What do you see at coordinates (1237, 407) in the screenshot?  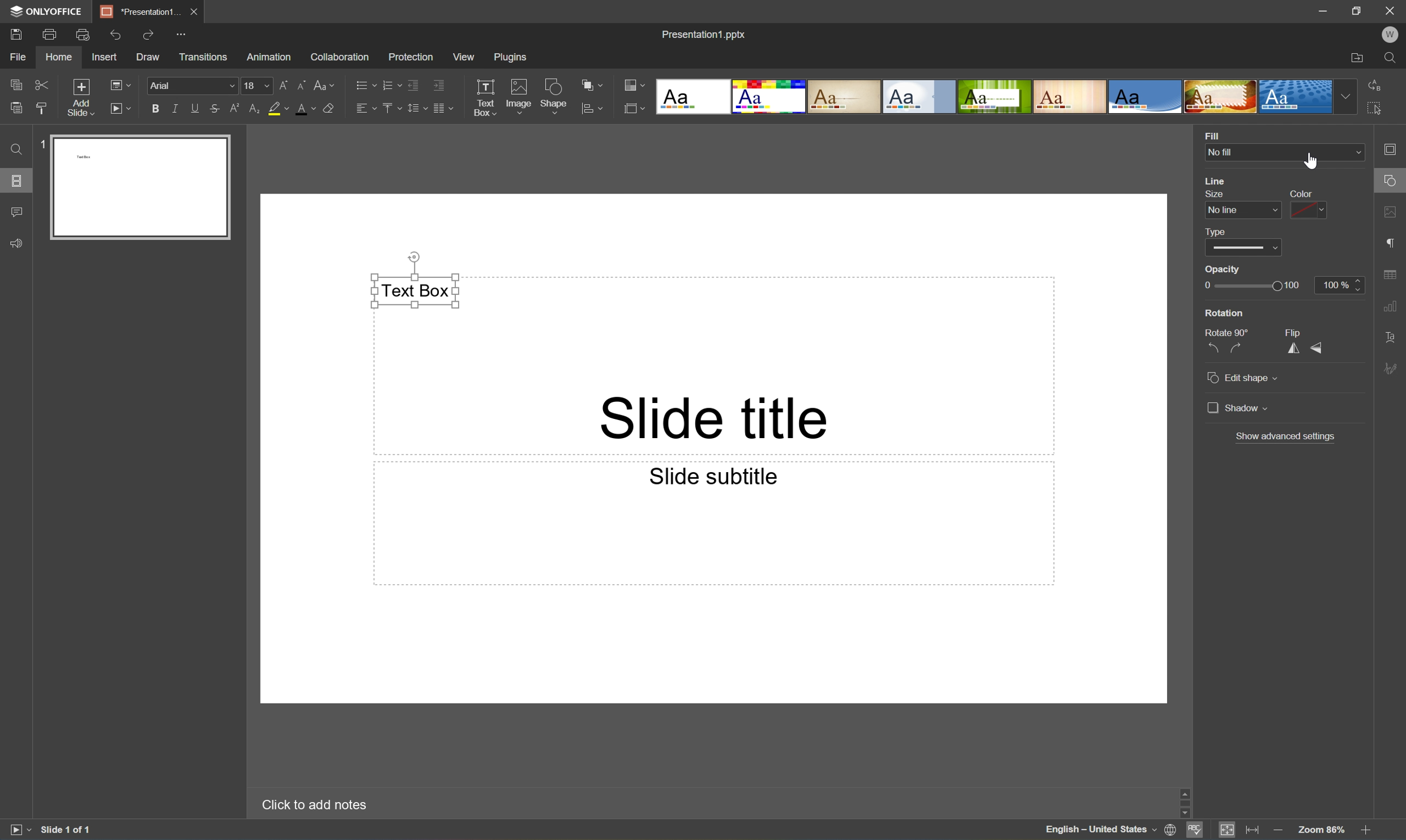 I see `Shadow` at bounding box center [1237, 407].